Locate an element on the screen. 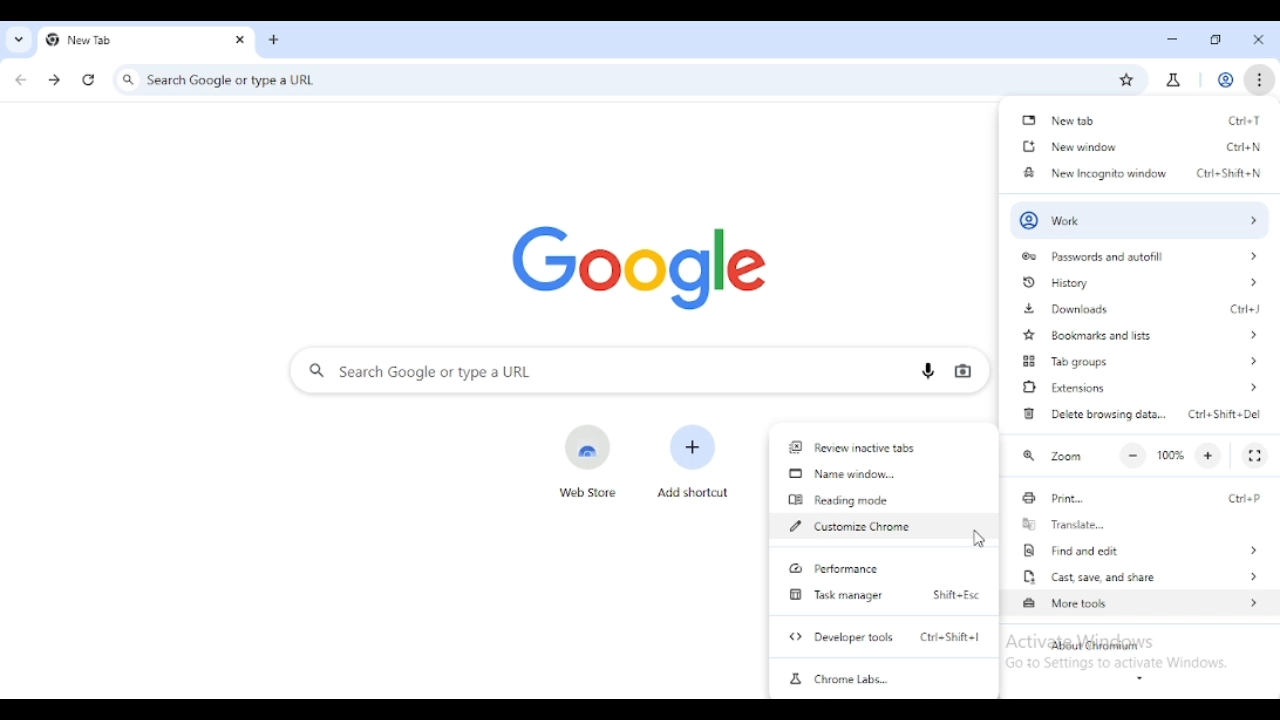  passwords and autofll is located at coordinates (1141, 256).